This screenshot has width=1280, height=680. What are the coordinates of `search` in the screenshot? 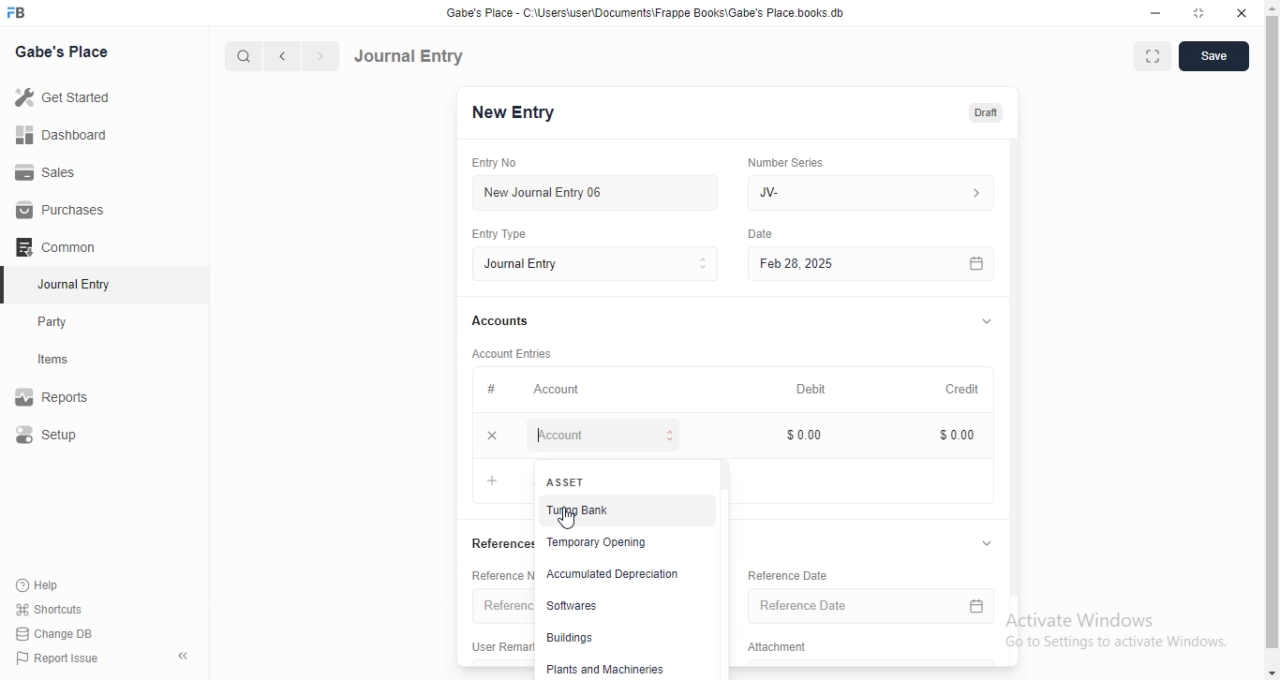 It's located at (245, 56).